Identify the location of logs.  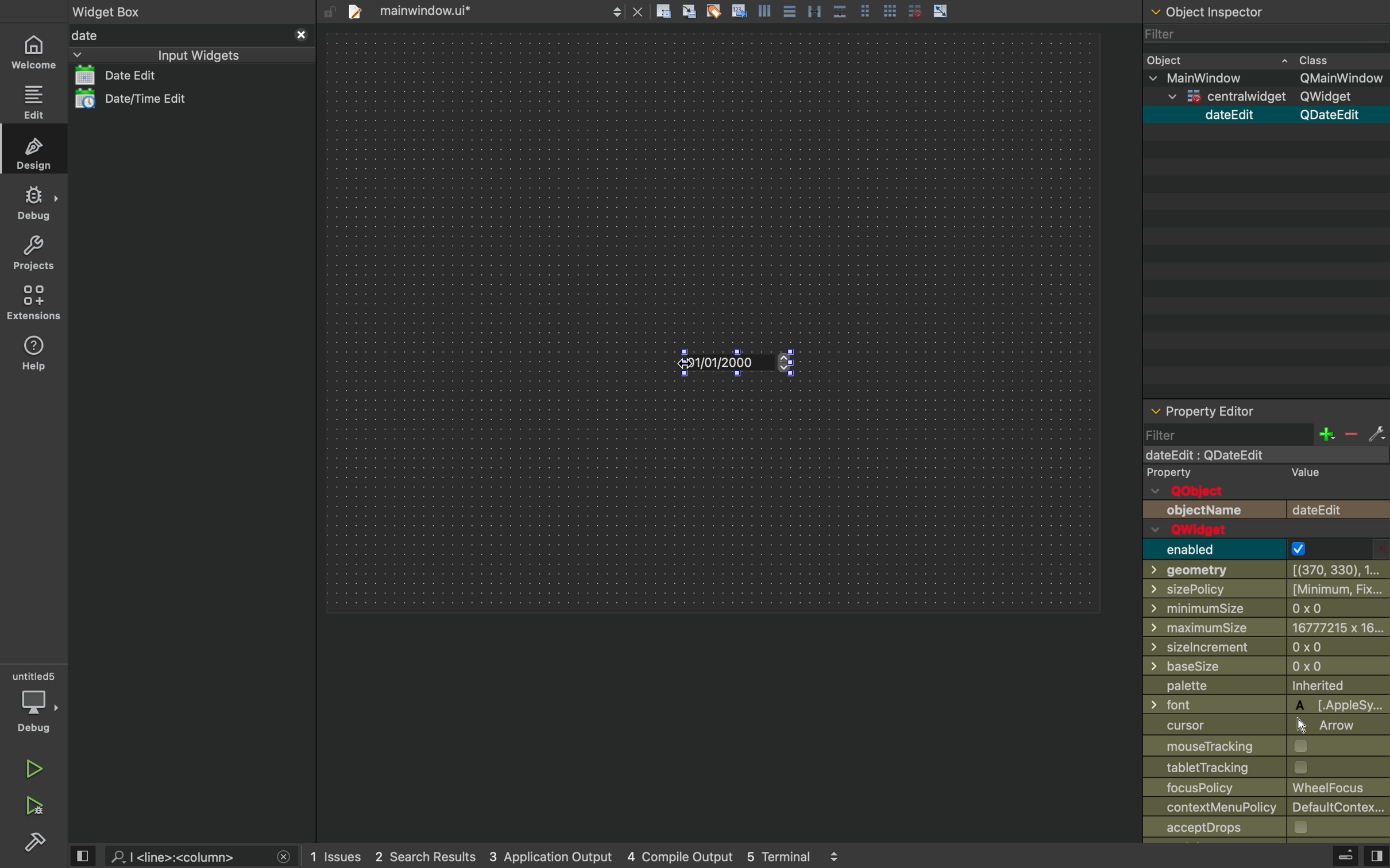
(575, 855).